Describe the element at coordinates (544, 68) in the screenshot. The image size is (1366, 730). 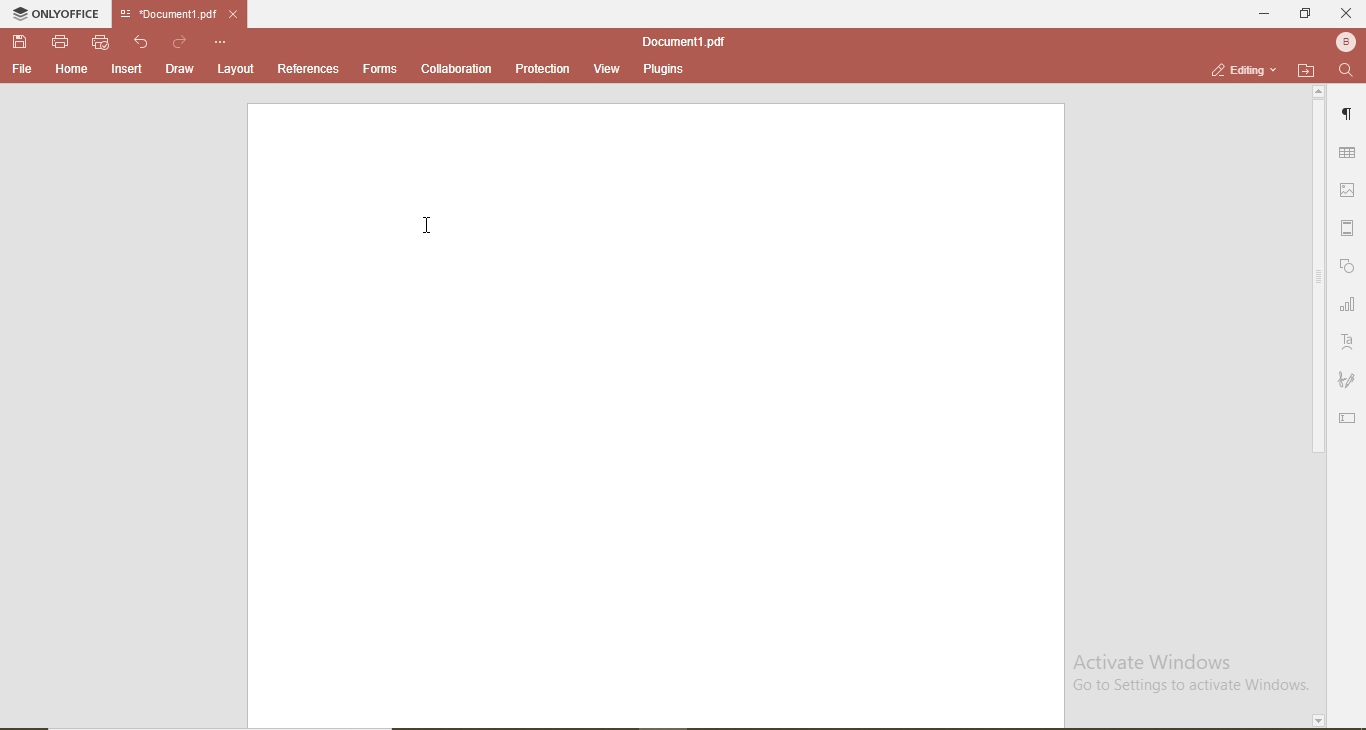
I see `protection` at that location.